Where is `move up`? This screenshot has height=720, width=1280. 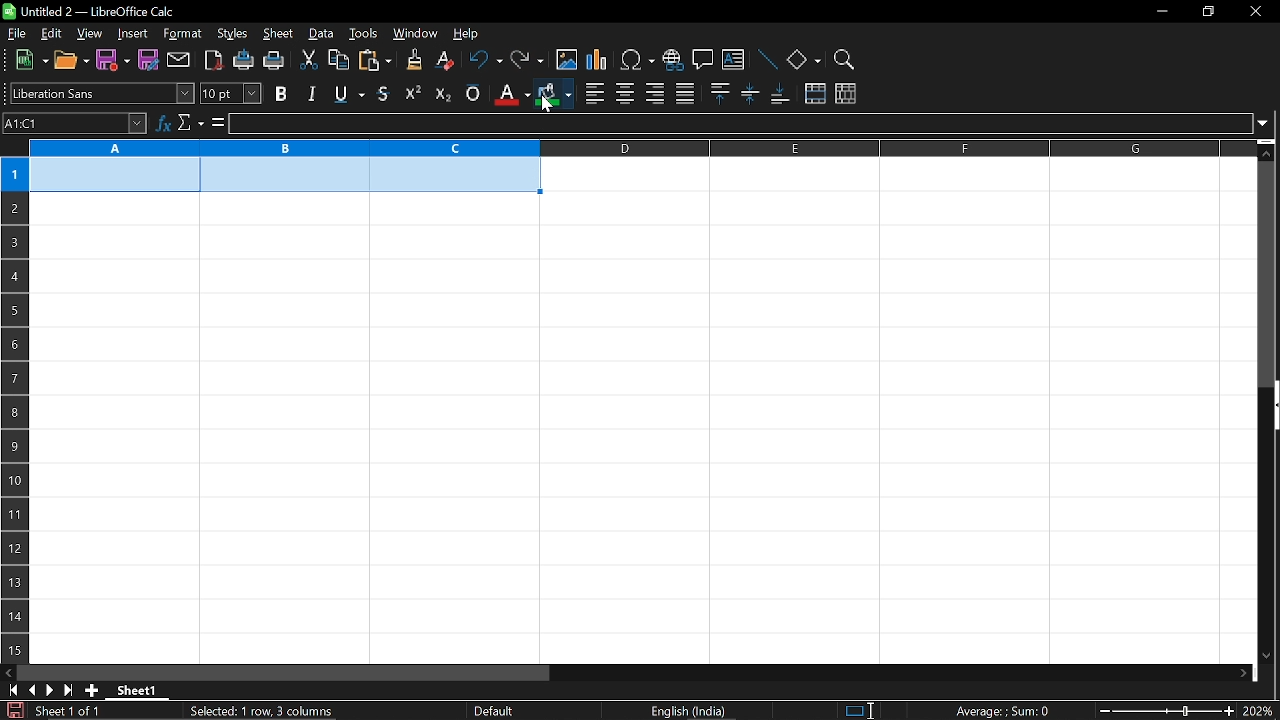 move up is located at coordinates (1269, 151).